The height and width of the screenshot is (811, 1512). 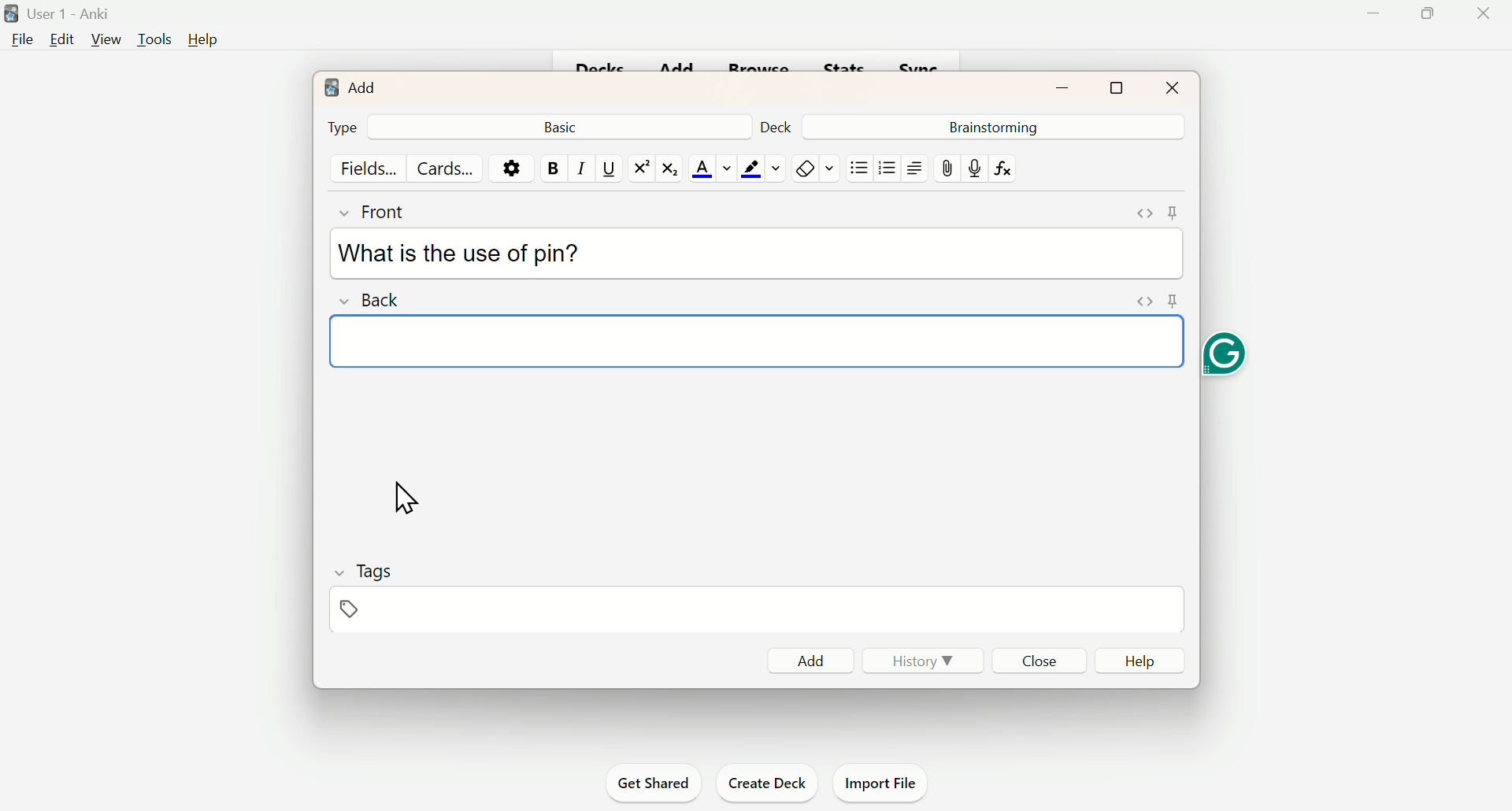 What do you see at coordinates (24, 39) in the screenshot?
I see `` at bounding box center [24, 39].